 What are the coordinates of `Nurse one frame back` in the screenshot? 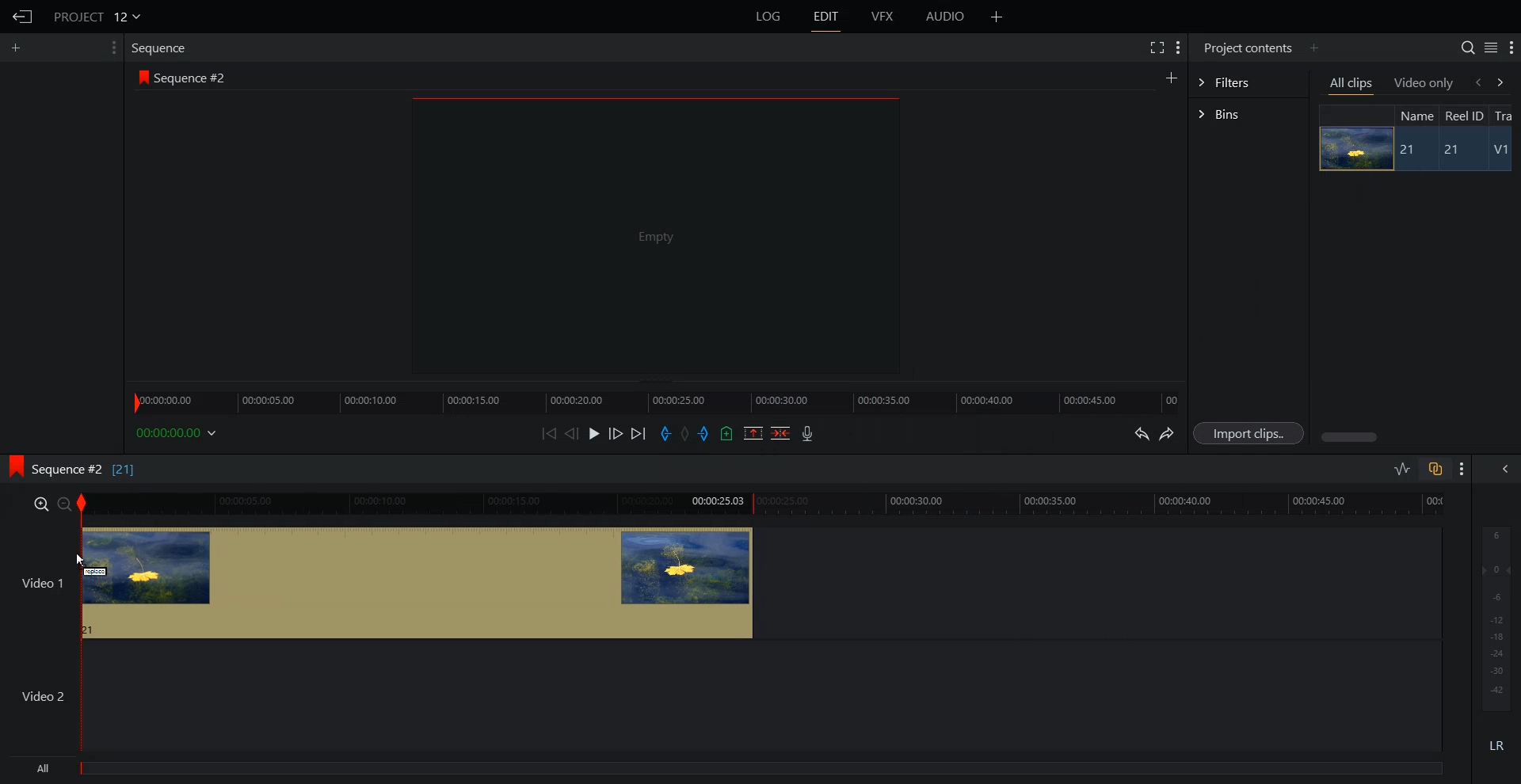 It's located at (572, 433).